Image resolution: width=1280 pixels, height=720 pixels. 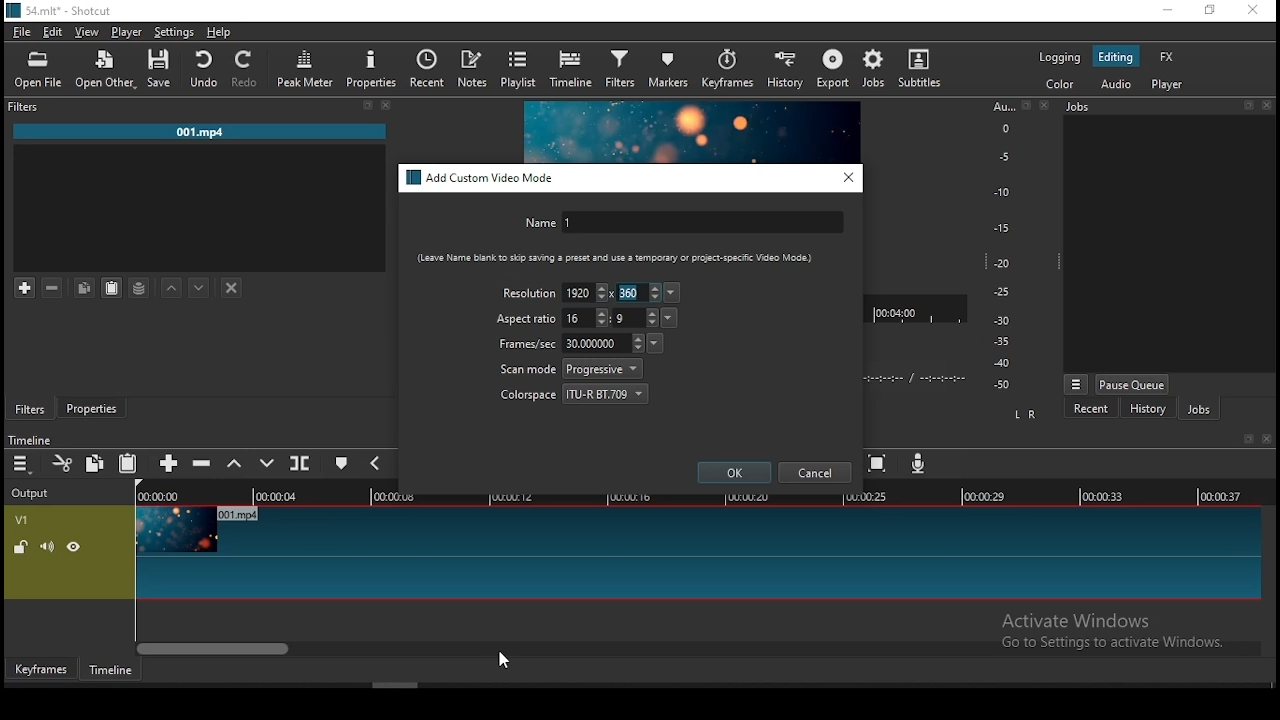 What do you see at coordinates (631, 496) in the screenshot?
I see `00:00:16` at bounding box center [631, 496].